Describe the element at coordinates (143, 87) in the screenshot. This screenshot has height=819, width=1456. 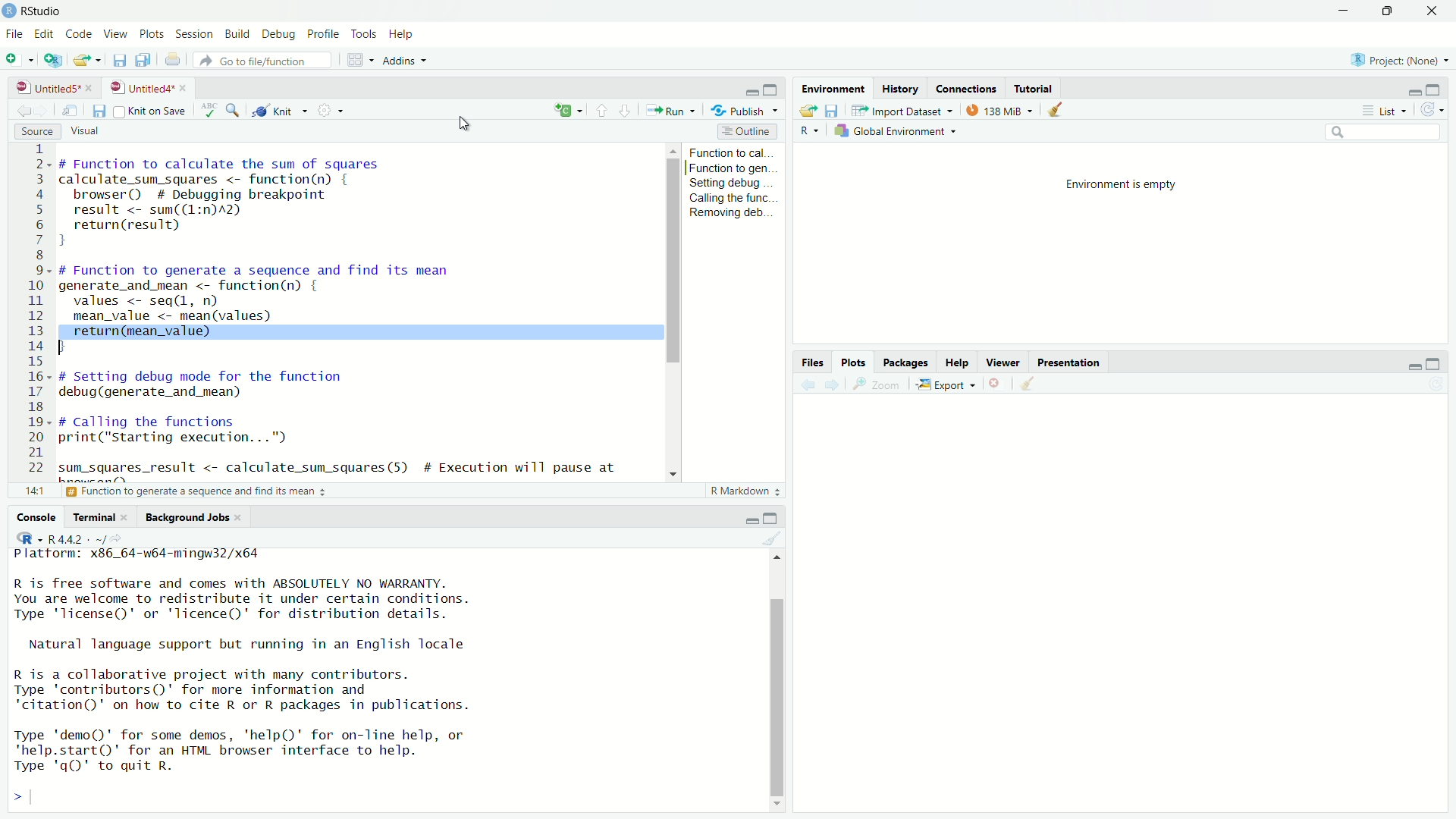
I see `untitled4` at that location.